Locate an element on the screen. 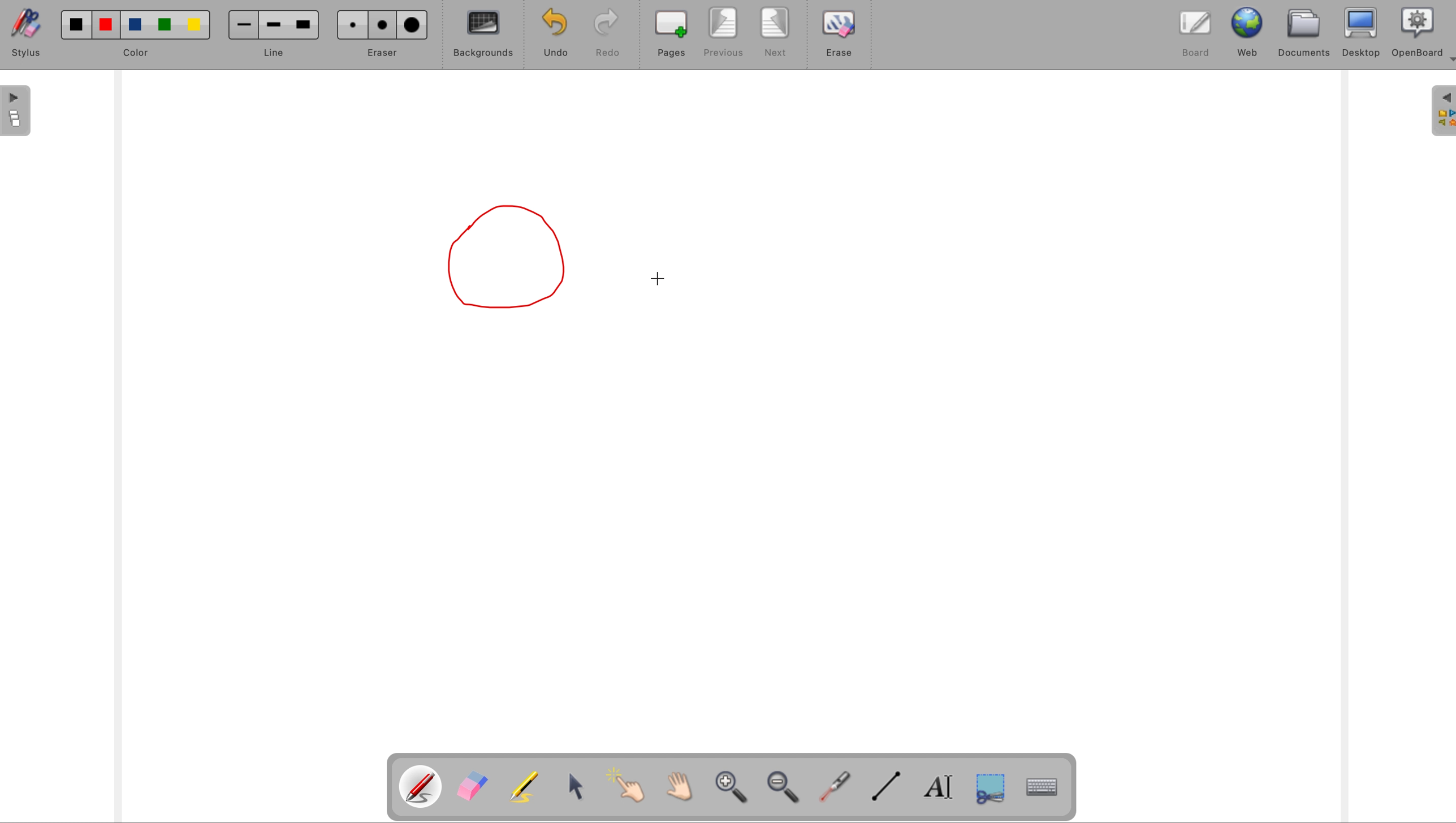 The height and width of the screenshot is (823, 1456). openboard is located at coordinates (1415, 33).